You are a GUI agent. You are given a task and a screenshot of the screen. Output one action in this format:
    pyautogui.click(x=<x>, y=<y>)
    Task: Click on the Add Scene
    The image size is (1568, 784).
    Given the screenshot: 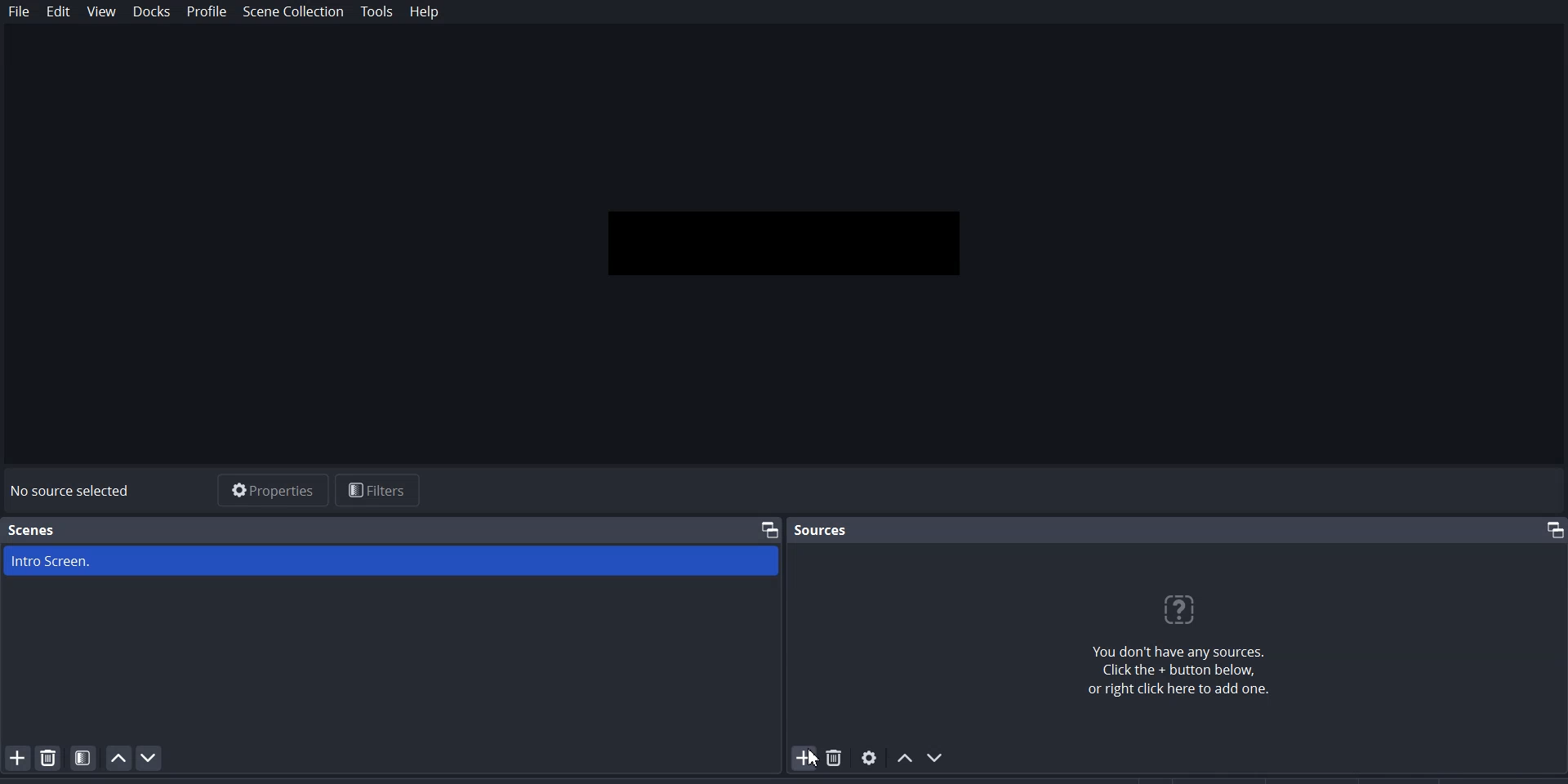 What is the action you would take?
    pyautogui.click(x=15, y=757)
    